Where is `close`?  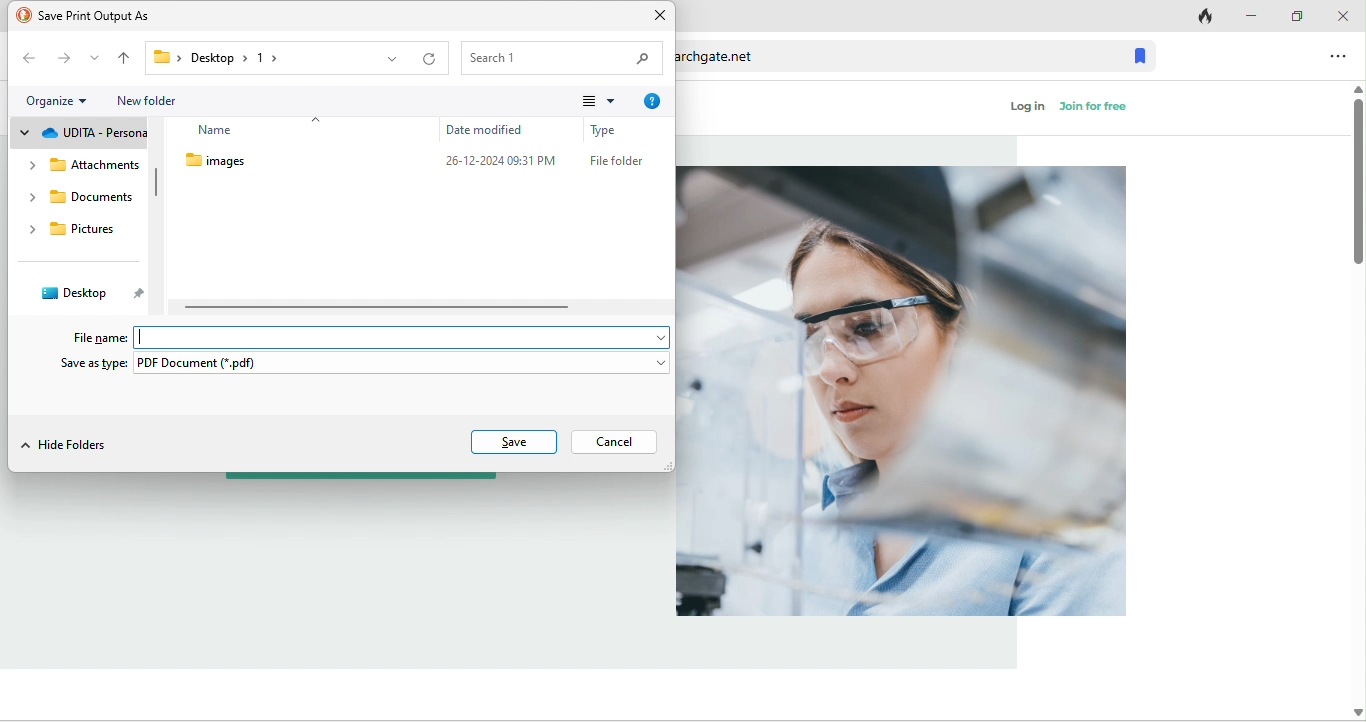 close is located at coordinates (1342, 14).